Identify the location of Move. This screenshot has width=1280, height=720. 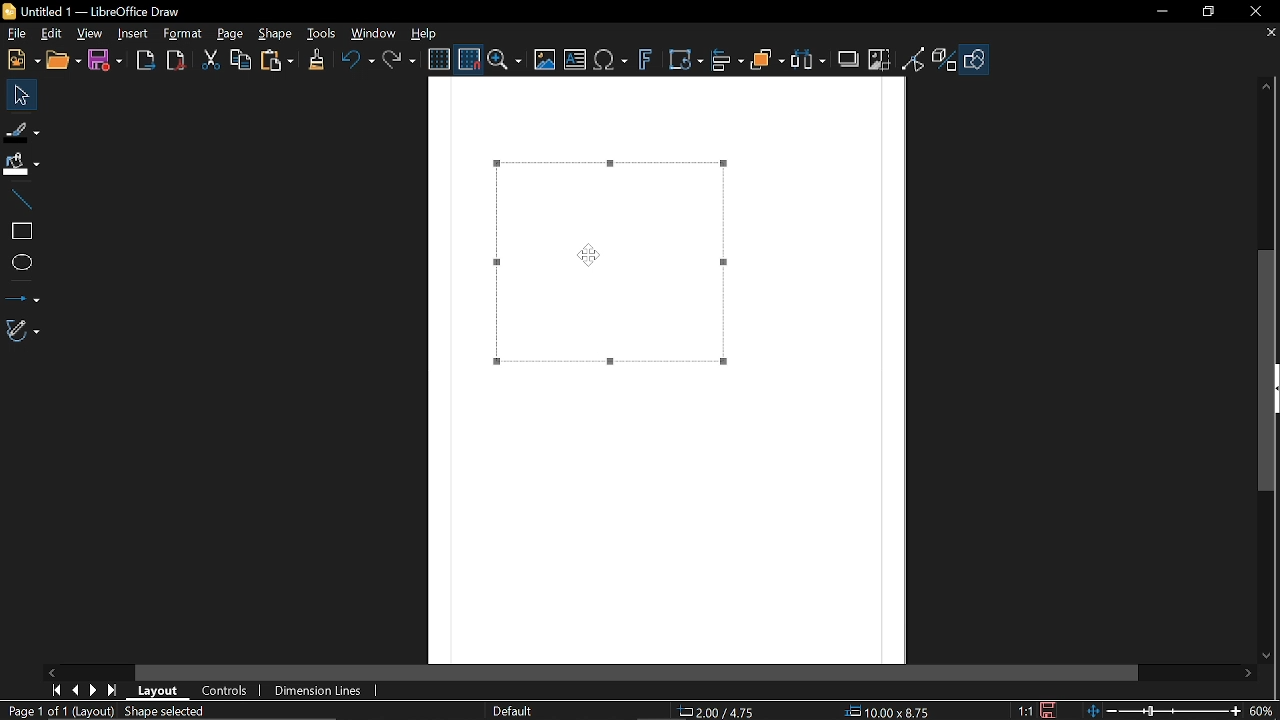
(17, 94).